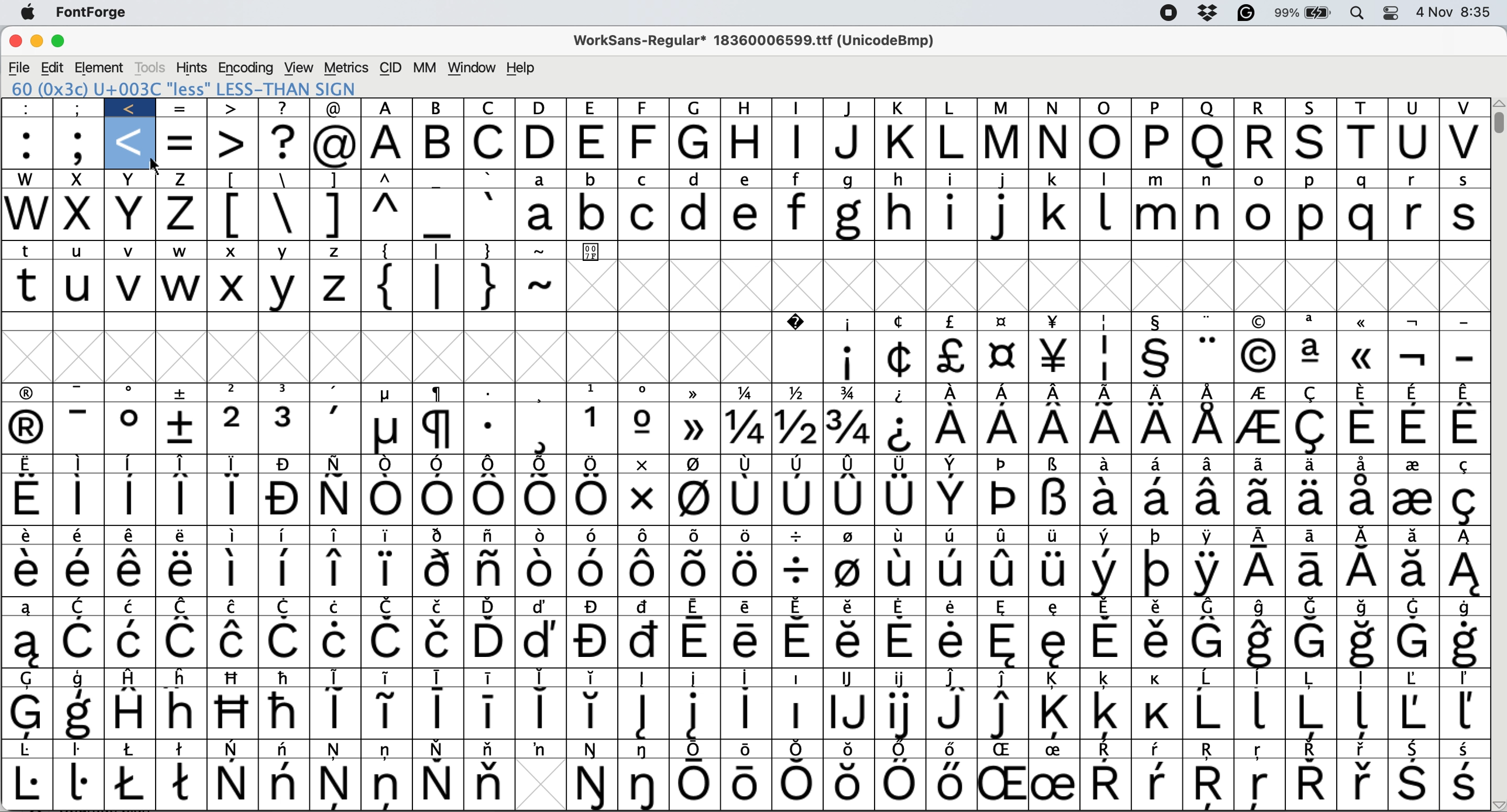 Image resolution: width=1507 pixels, height=812 pixels. Describe the element at coordinates (799, 499) in the screenshot. I see `Symbol` at that location.